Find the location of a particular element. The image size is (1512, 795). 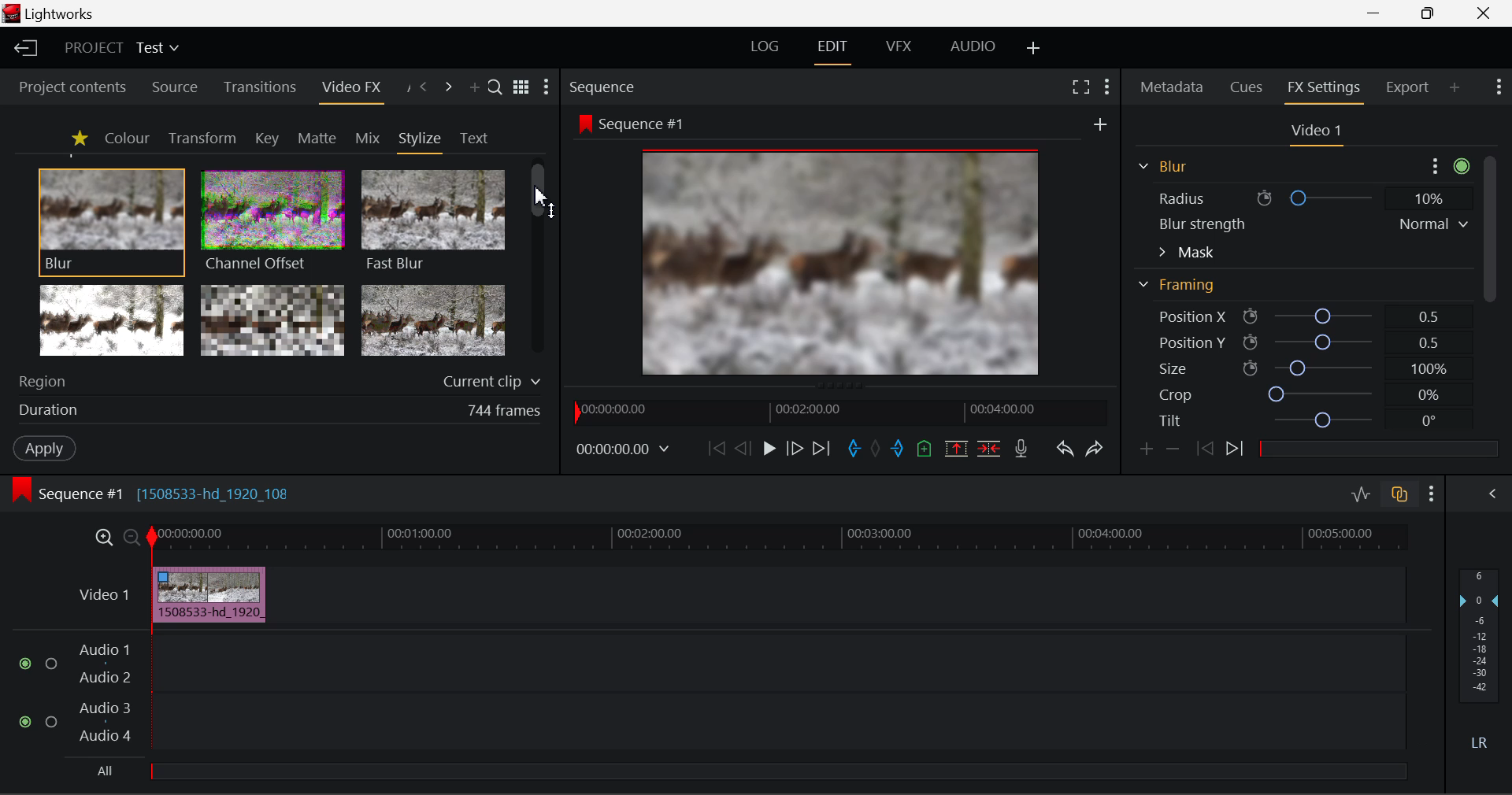

Matte is located at coordinates (317, 138).